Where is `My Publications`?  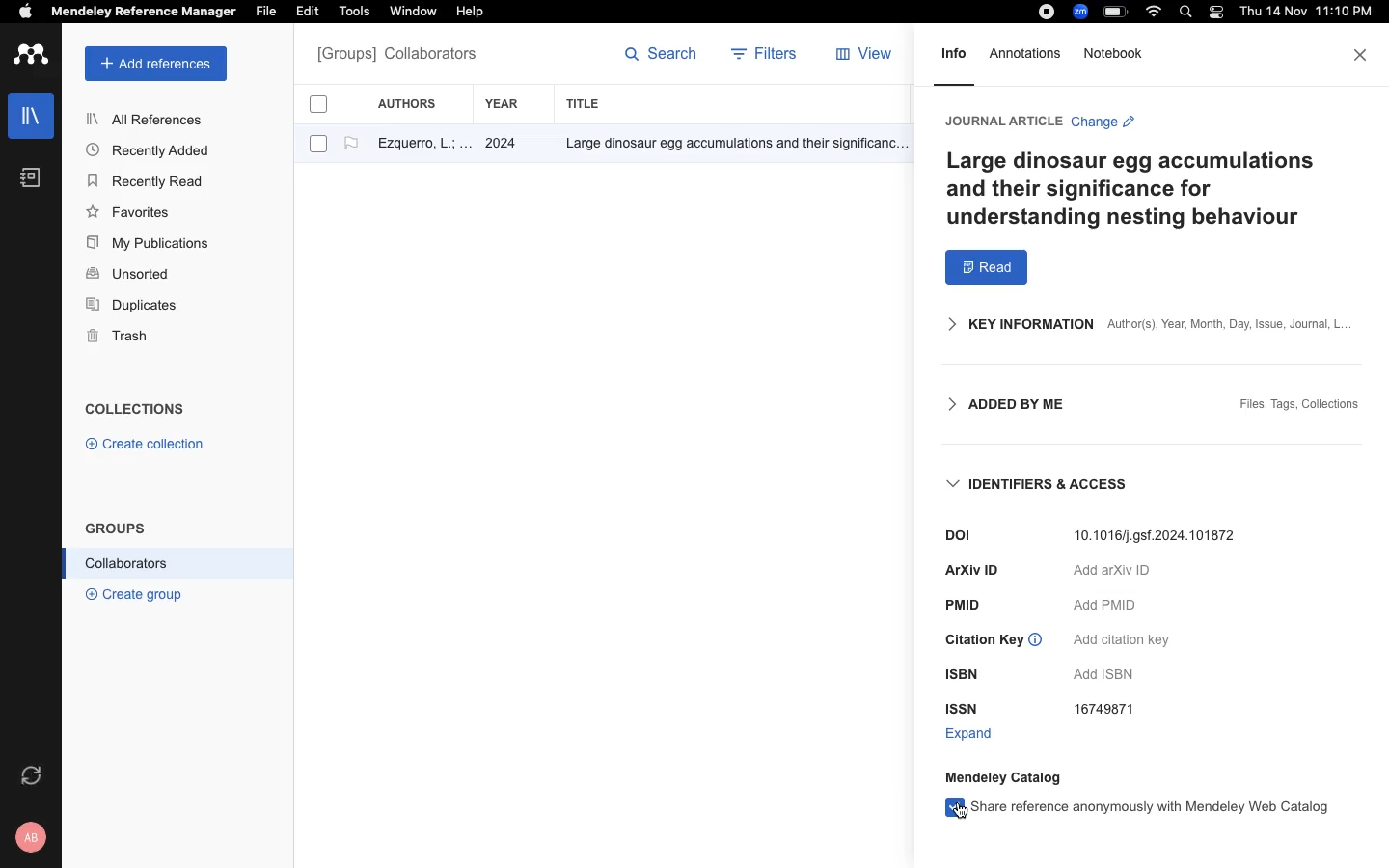
My Publications is located at coordinates (149, 246).